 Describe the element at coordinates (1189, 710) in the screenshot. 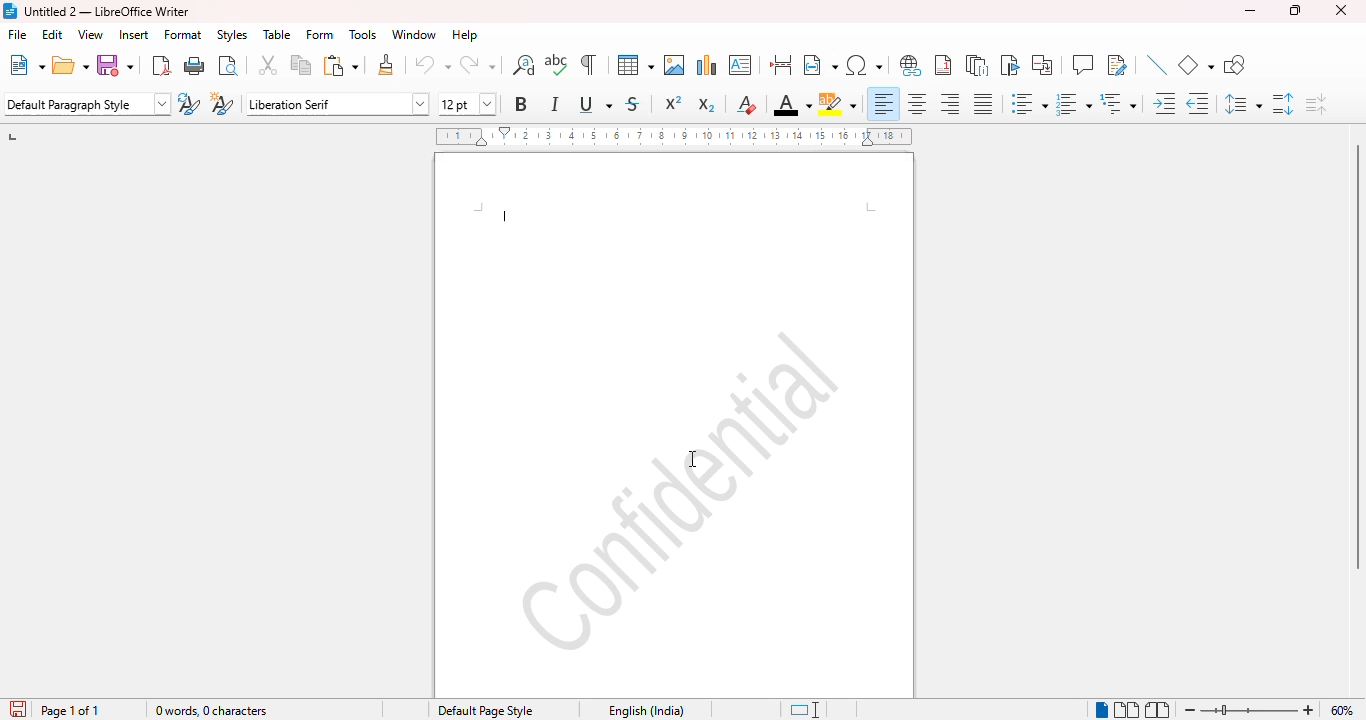

I see `zoom out` at that location.